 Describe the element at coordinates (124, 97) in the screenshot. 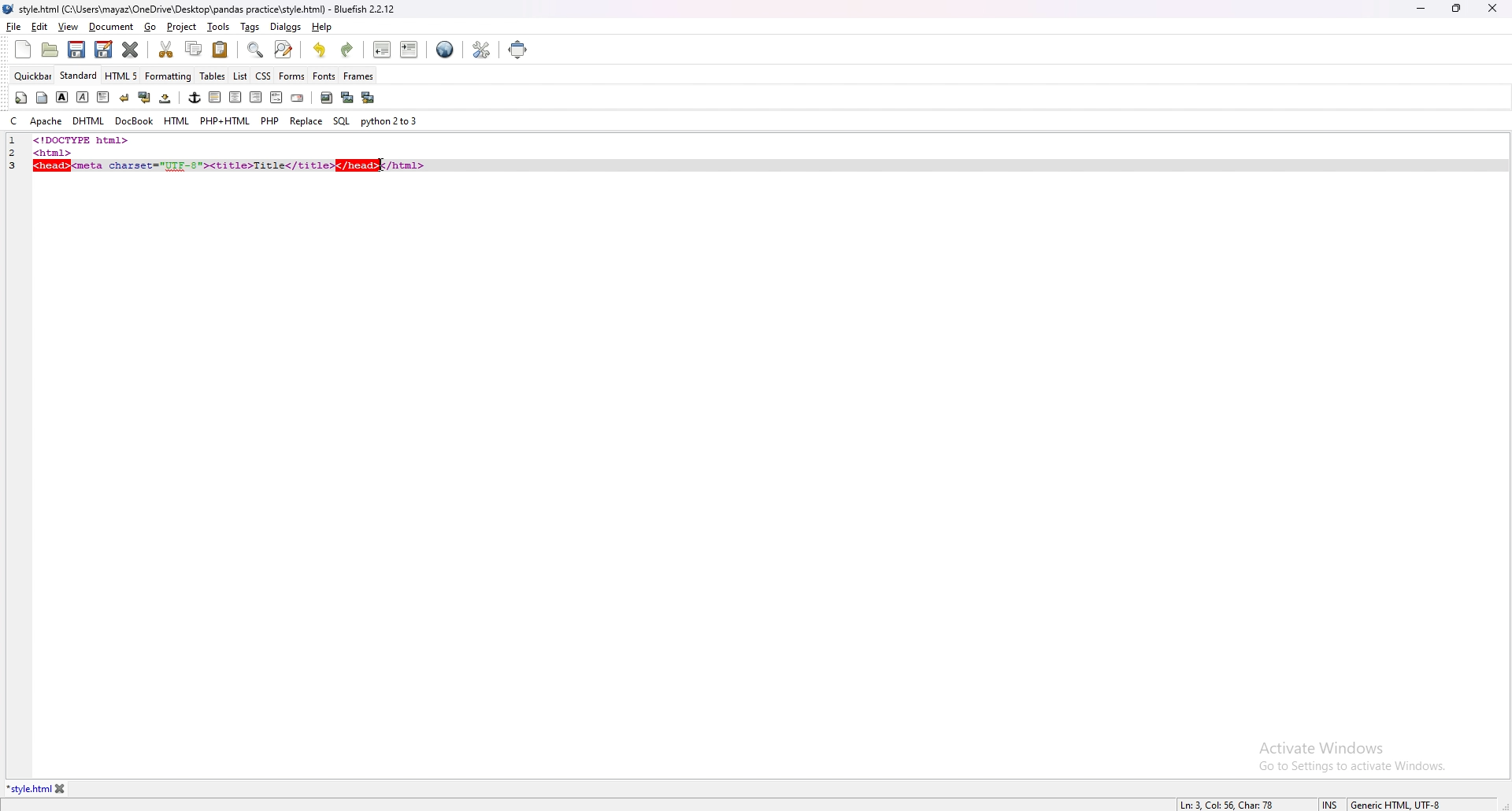

I see `break` at that location.